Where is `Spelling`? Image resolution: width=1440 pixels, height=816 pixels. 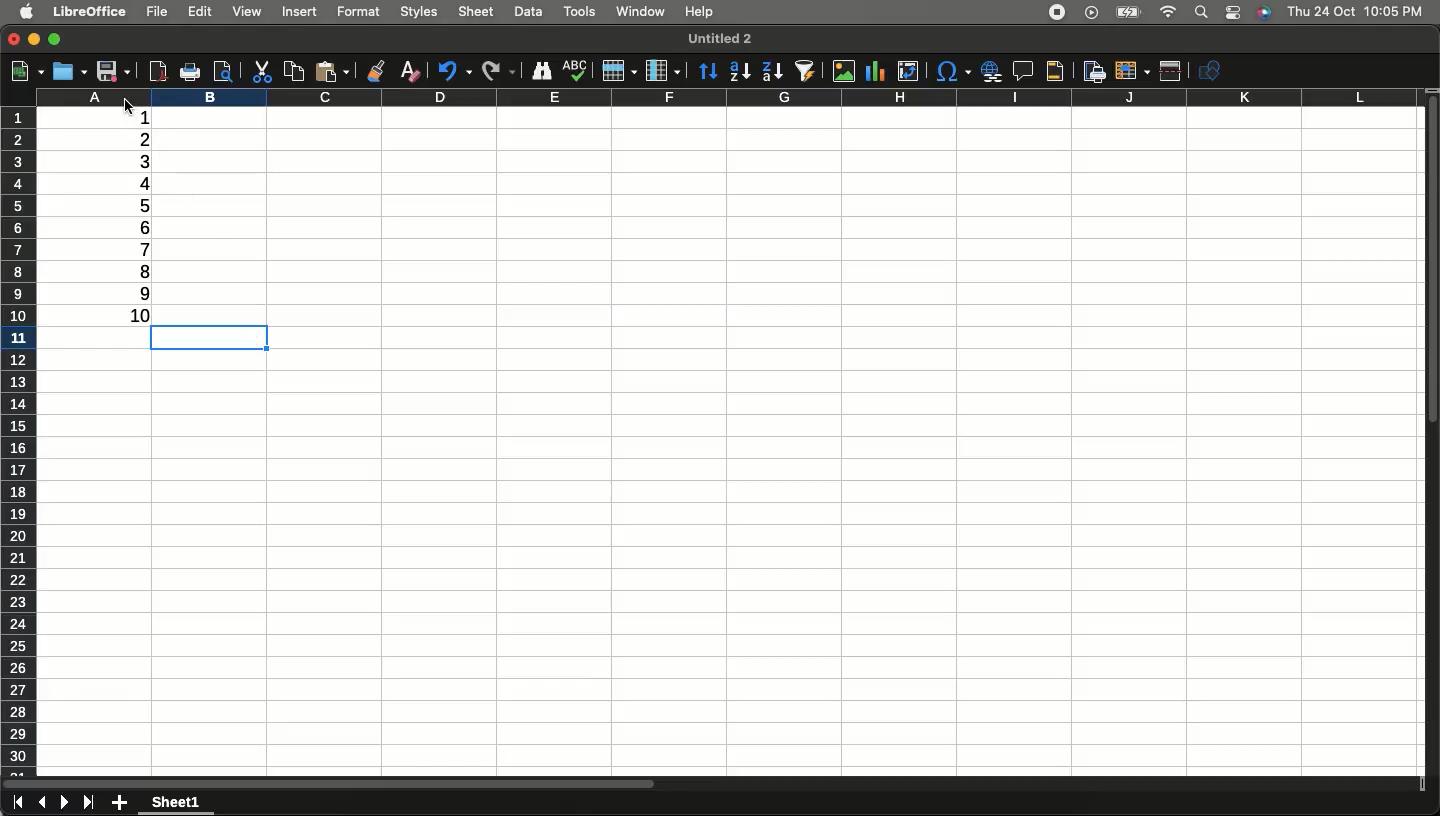 Spelling is located at coordinates (575, 71).